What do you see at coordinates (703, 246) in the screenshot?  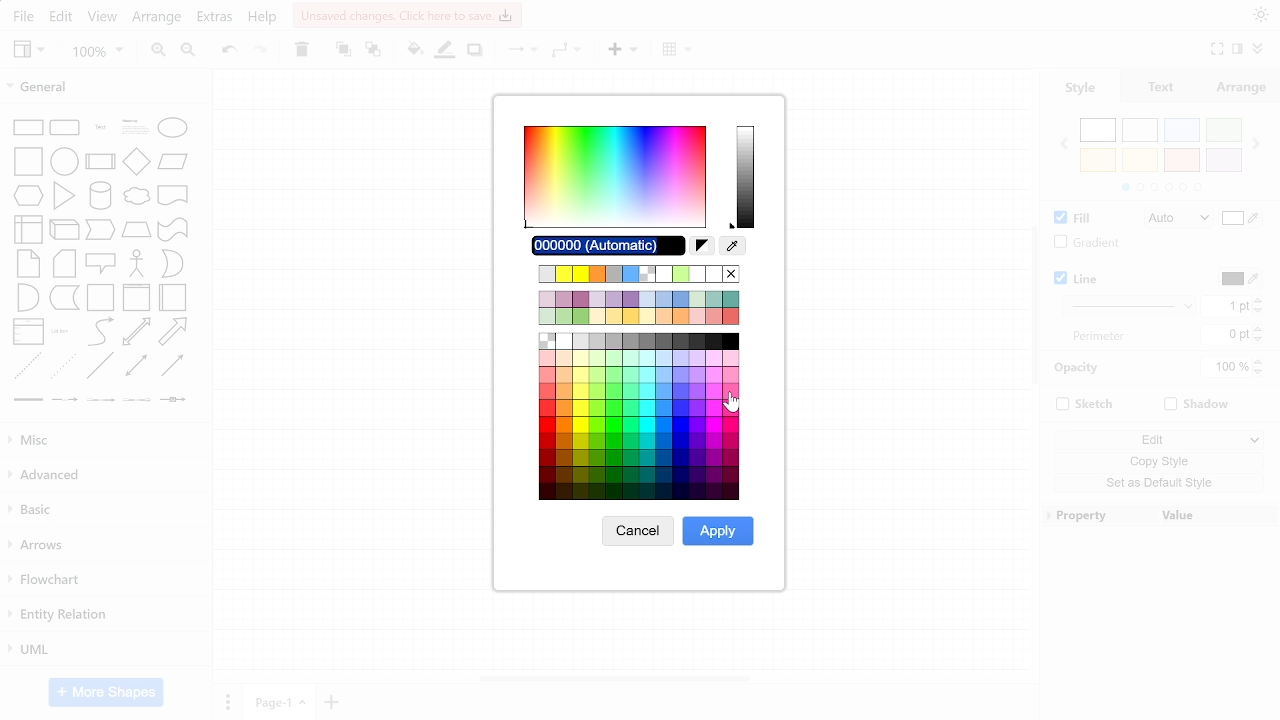 I see `Reset color` at bounding box center [703, 246].